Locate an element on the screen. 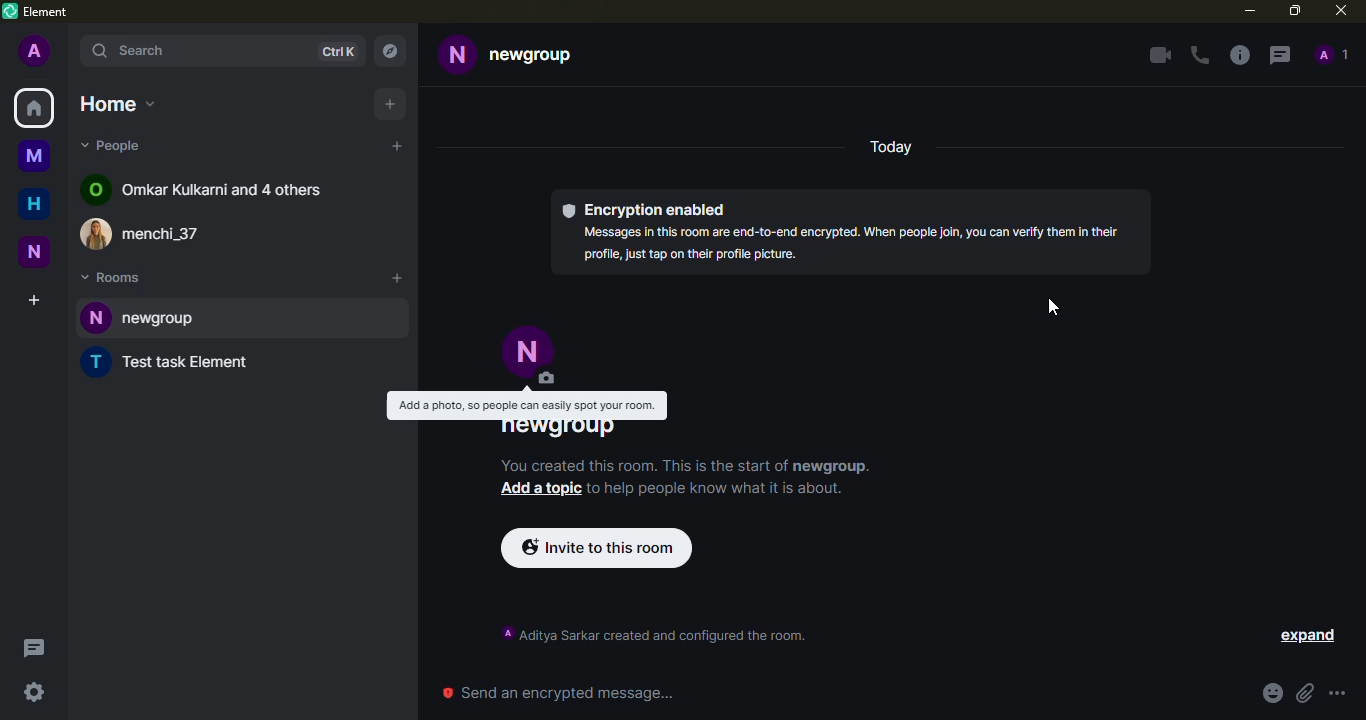 The image size is (1366, 720). add is located at coordinates (396, 278).